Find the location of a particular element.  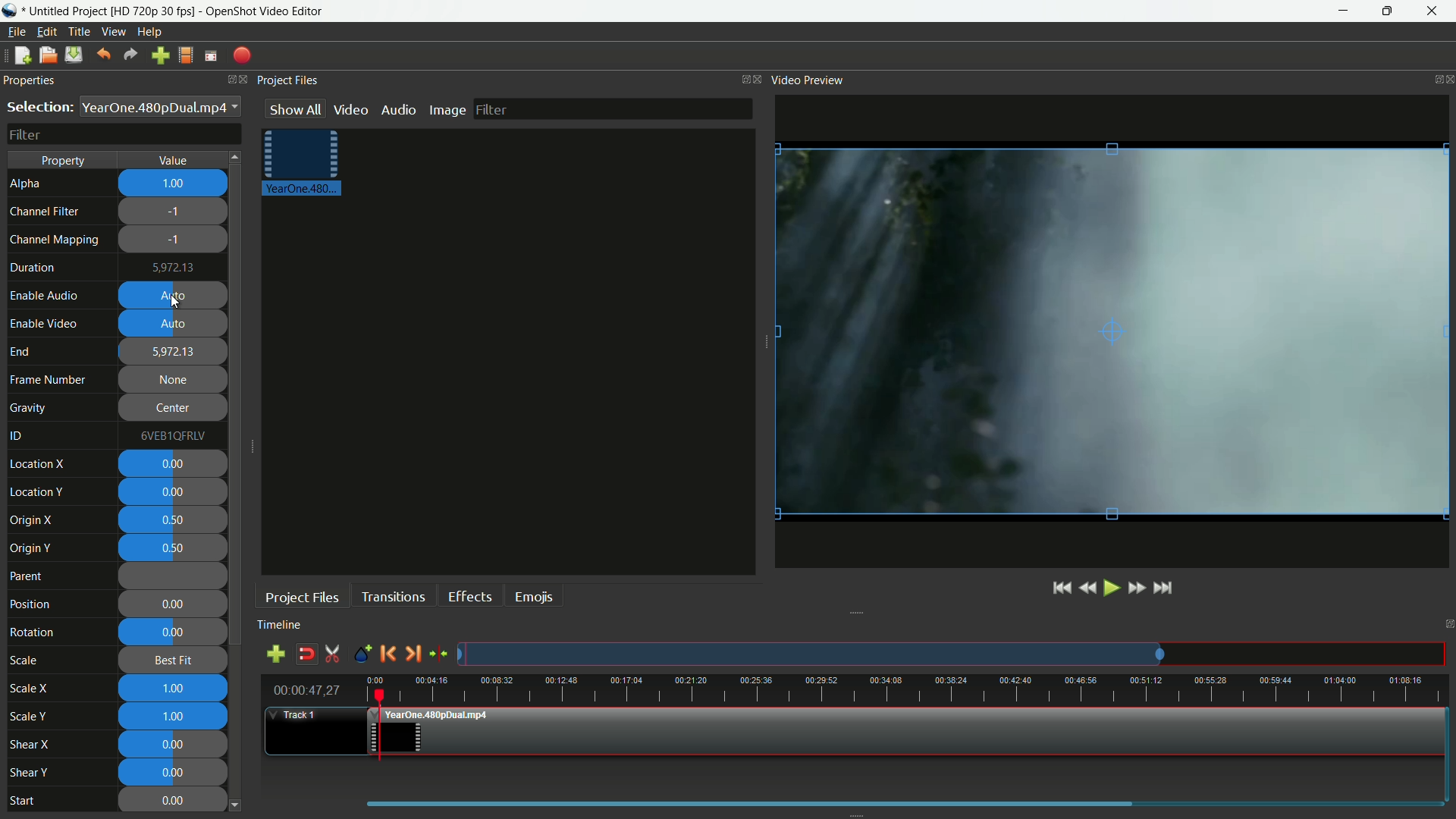

profile is located at coordinates (184, 55).